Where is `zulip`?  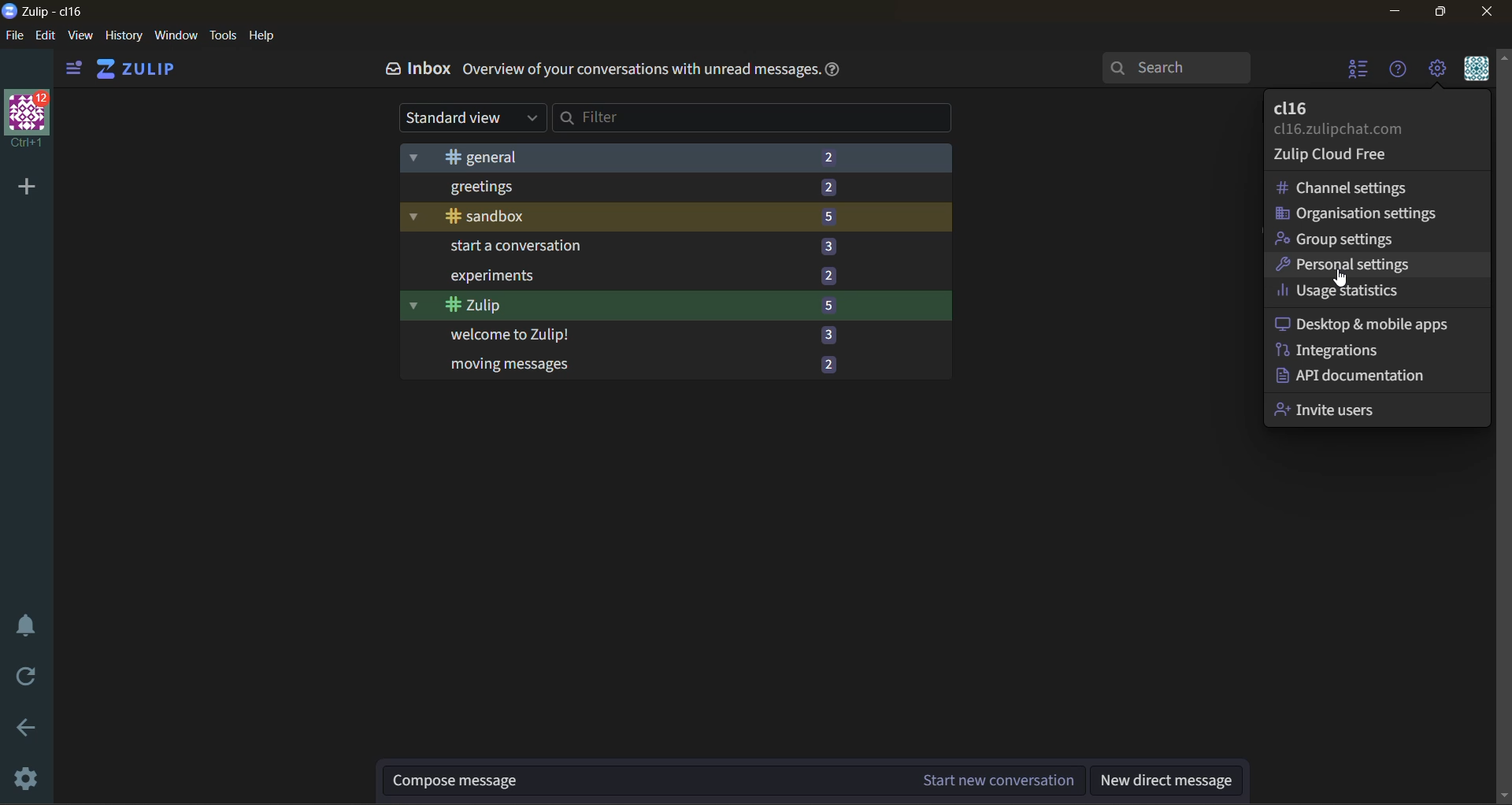 zulip is located at coordinates (628, 306).